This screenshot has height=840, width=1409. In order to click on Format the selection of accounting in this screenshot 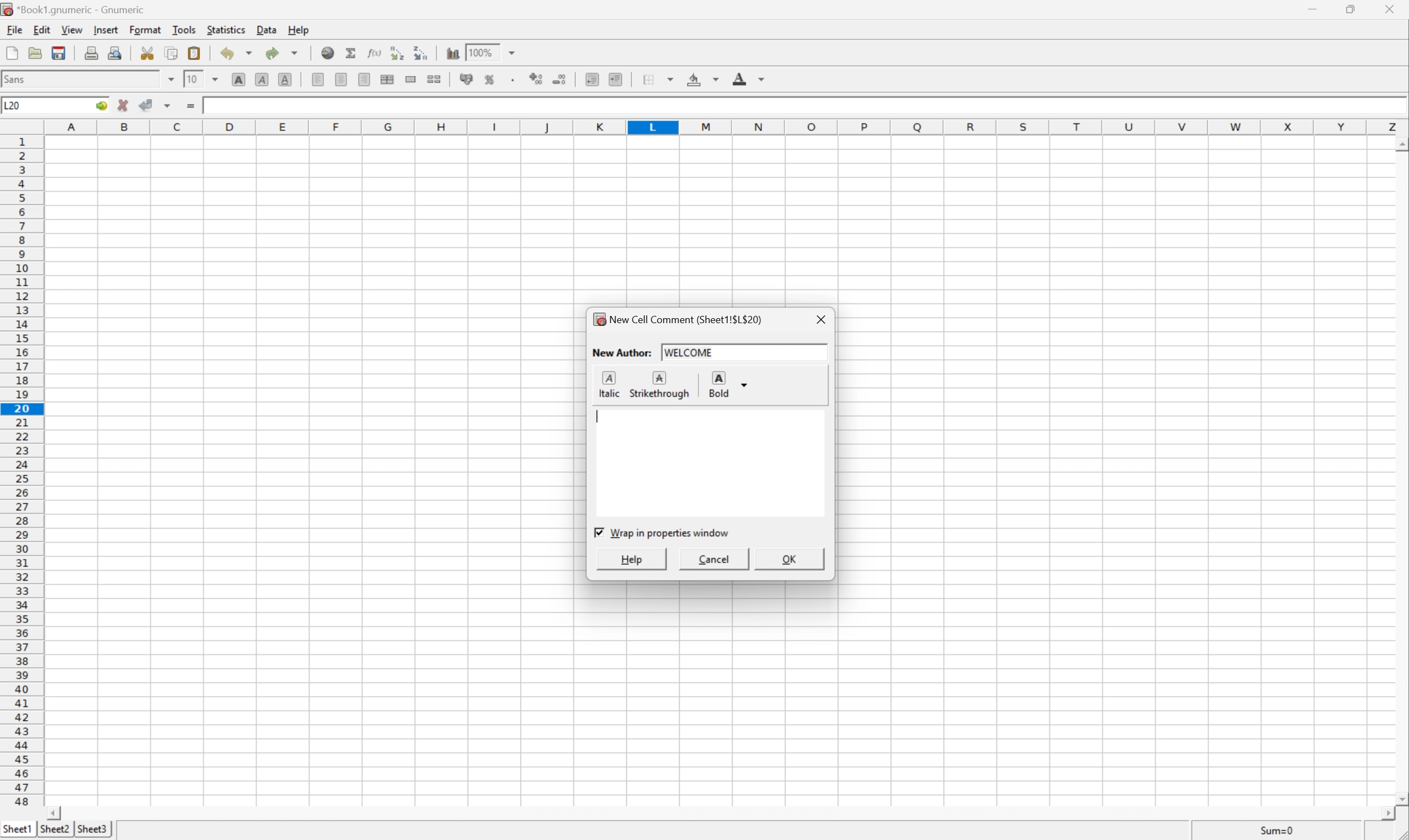, I will do `click(468, 79)`.